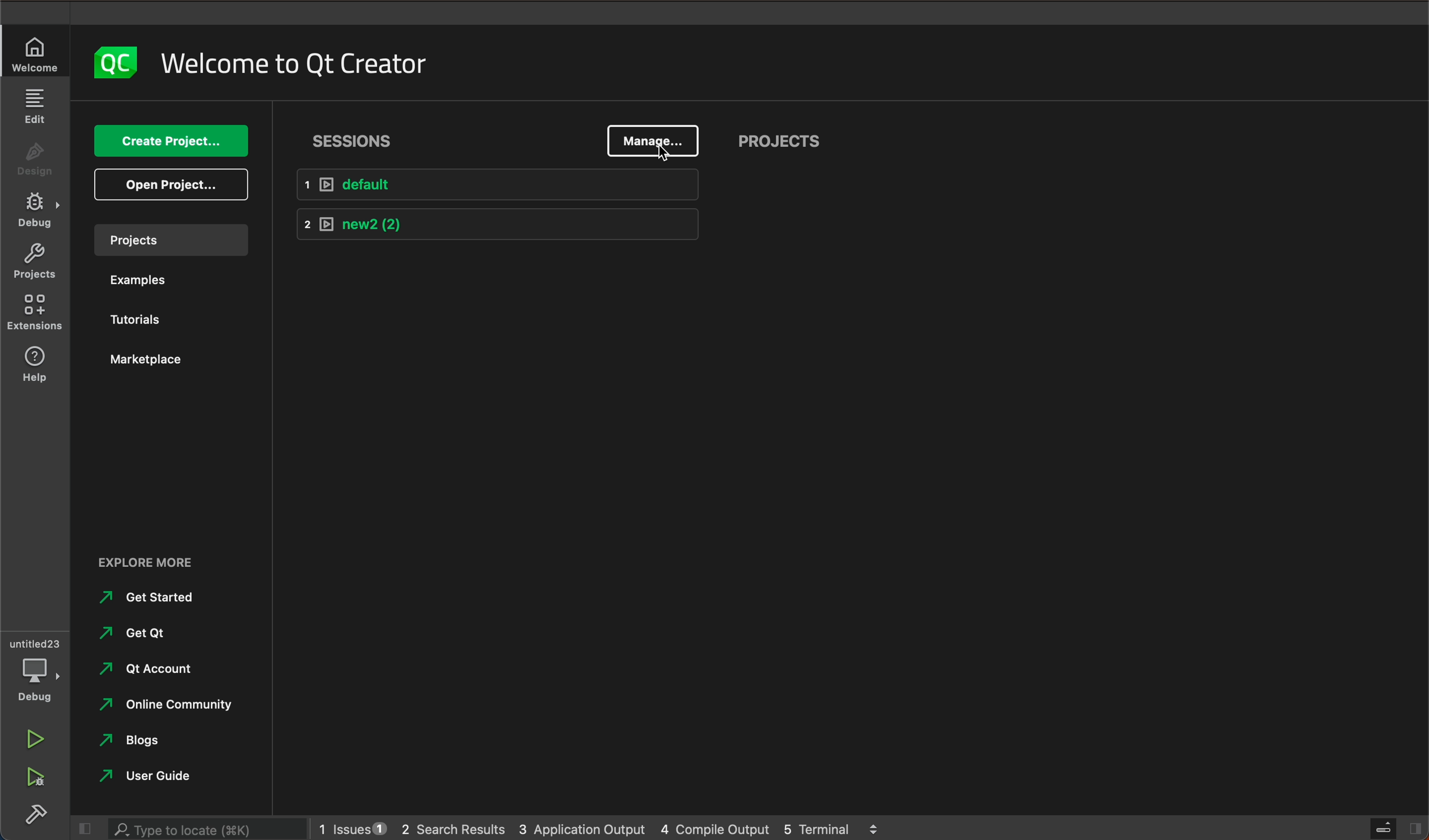  Describe the element at coordinates (172, 137) in the screenshot. I see `create` at that location.